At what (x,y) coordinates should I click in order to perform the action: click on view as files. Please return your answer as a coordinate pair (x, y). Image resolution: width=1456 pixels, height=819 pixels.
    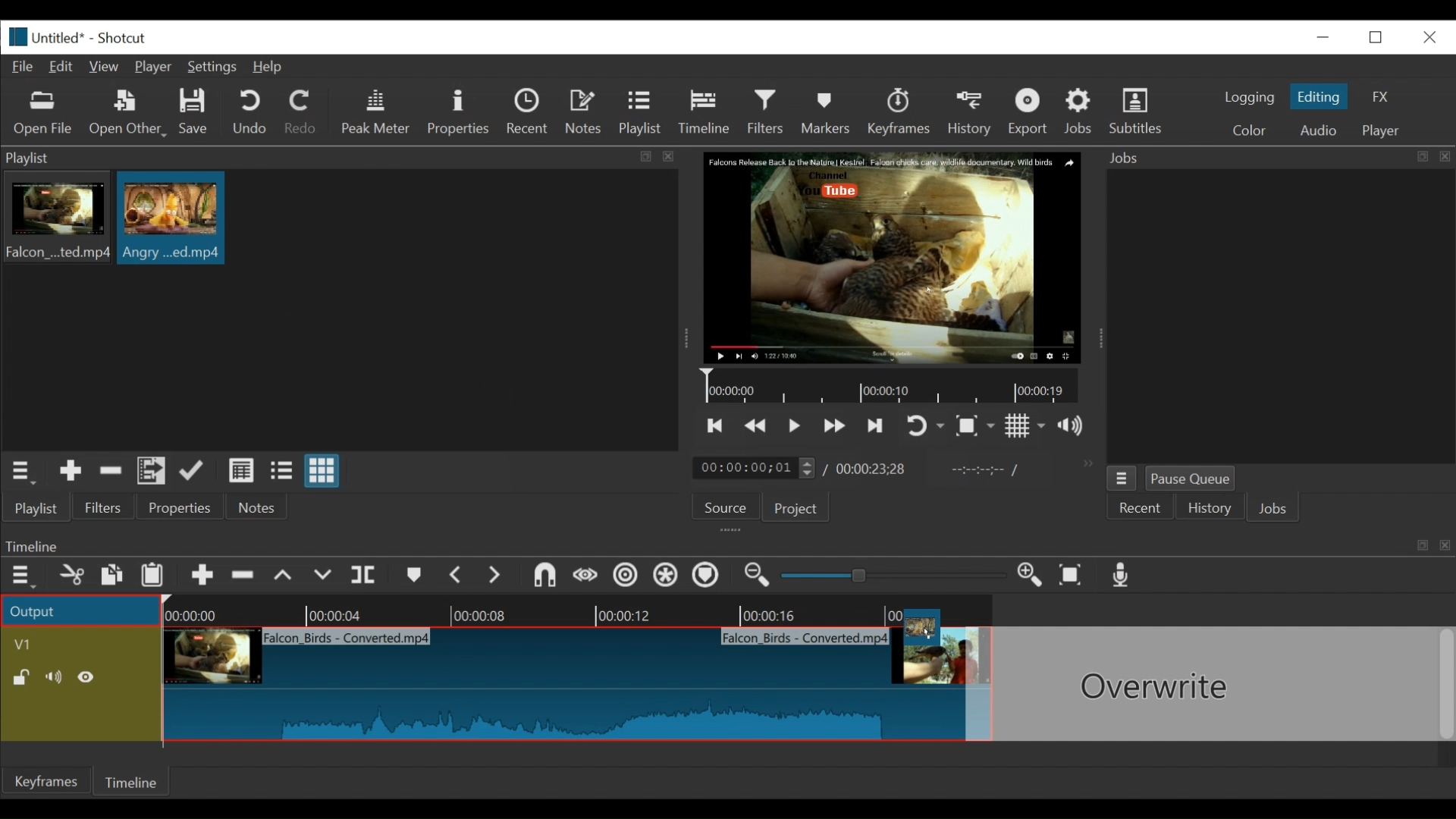
    Looking at the image, I should click on (283, 470).